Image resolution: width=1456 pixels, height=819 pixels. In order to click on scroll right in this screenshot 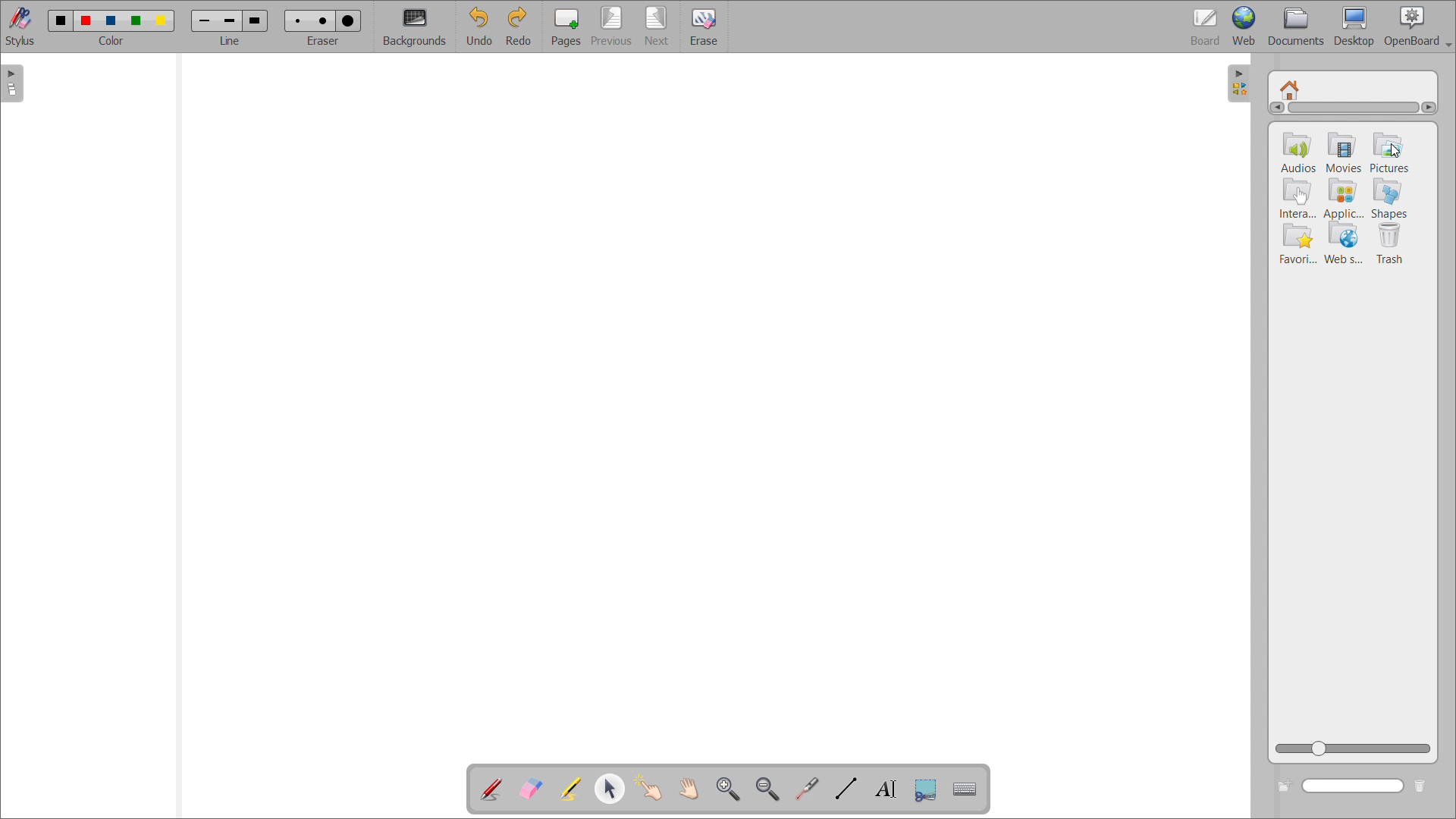, I will do `click(1430, 107)`.